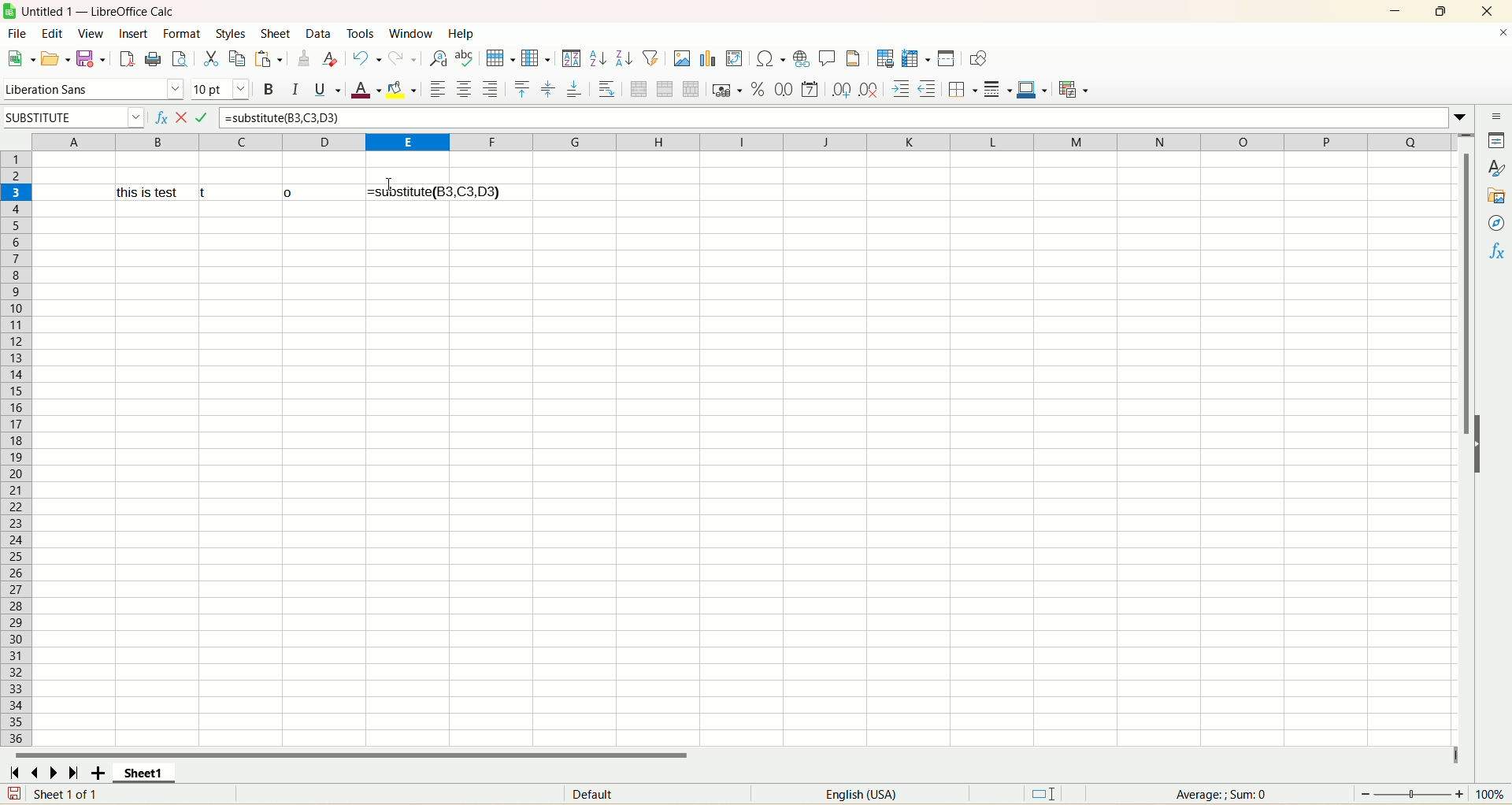 The width and height of the screenshot is (1512, 805). What do you see at coordinates (77, 796) in the screenshot?
I see `sheet number` at bounding box center [77, 796].